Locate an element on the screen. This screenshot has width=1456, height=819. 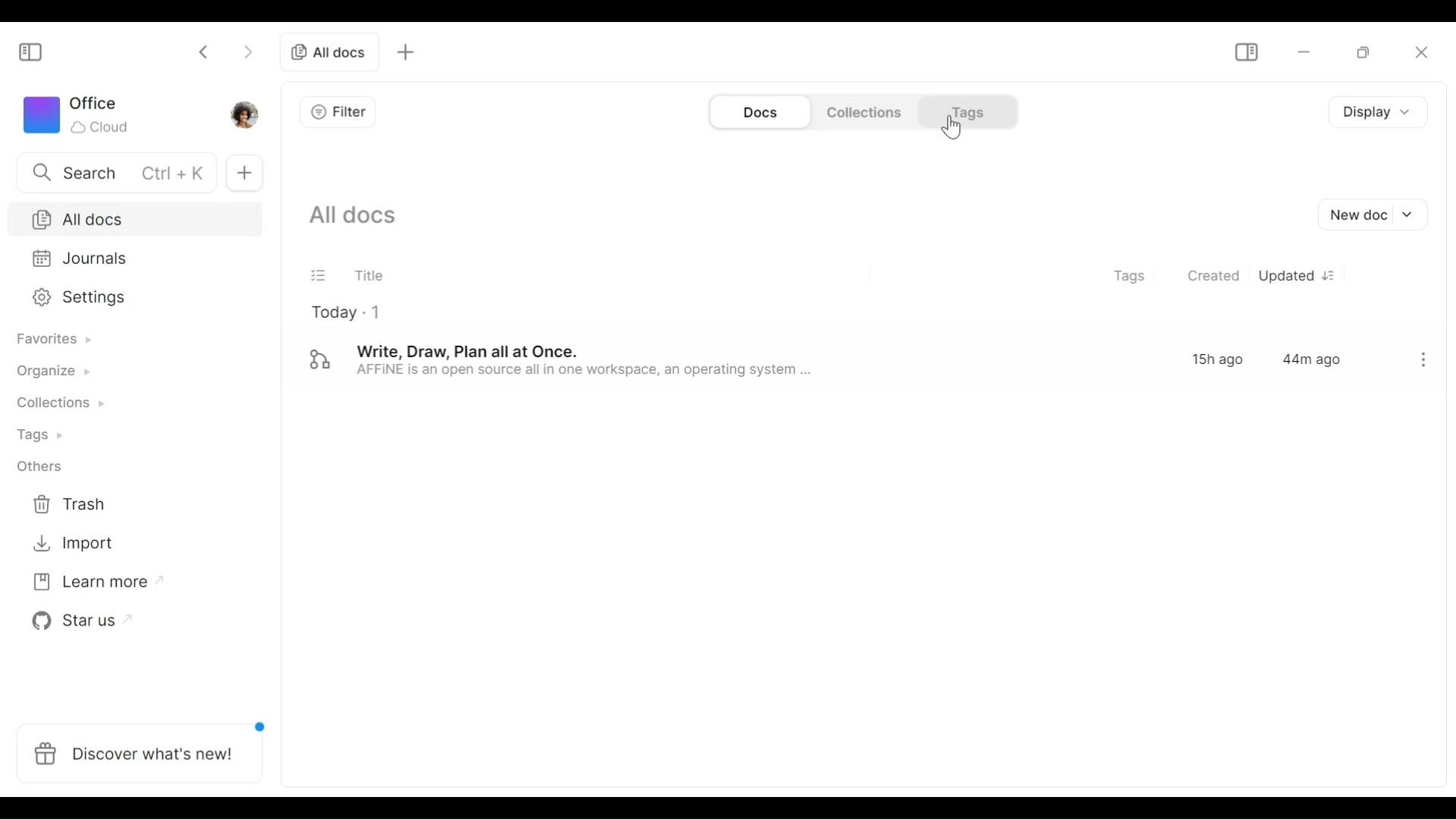
Update is located at coordinates (1287, 278).